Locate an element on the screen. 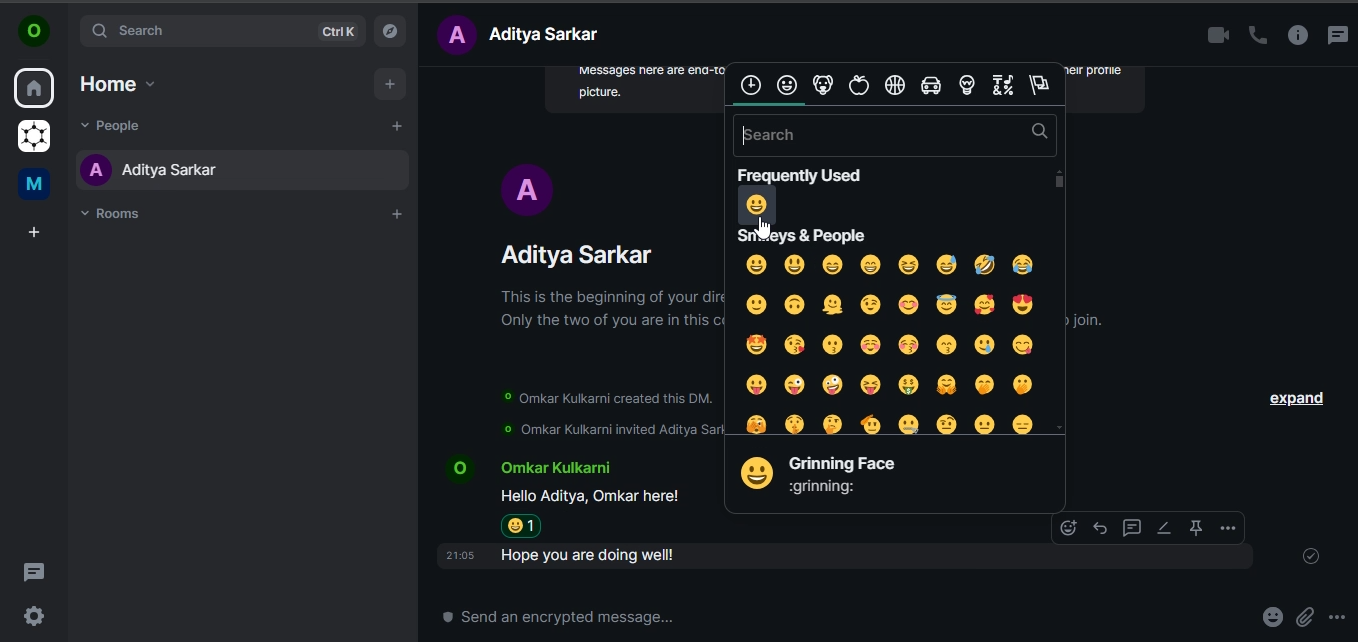 This screenshot has width=1358, height=642. shushing face is located at coordinates (794, 421).